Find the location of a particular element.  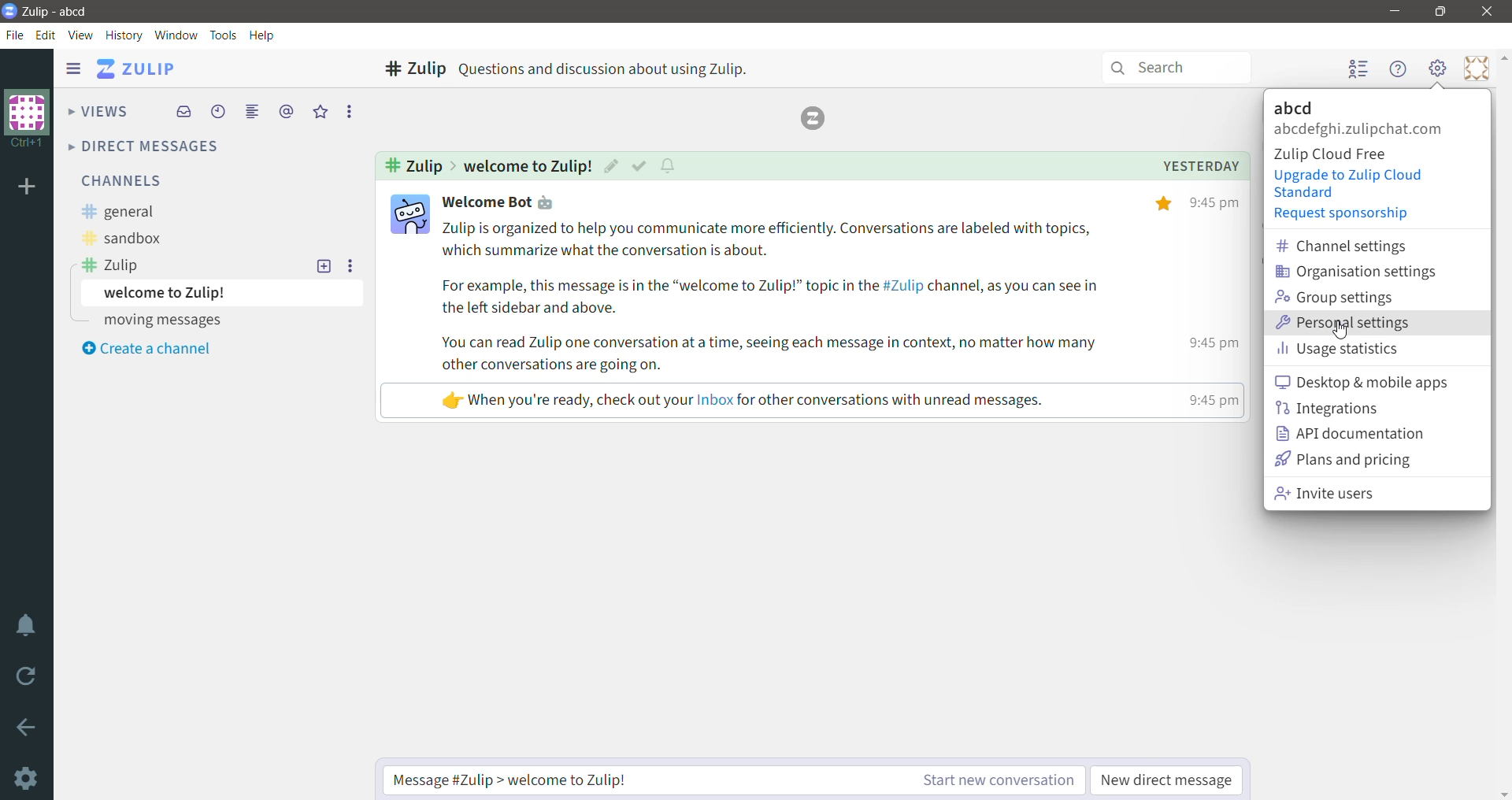

Application is located at coordinates (139, 70).